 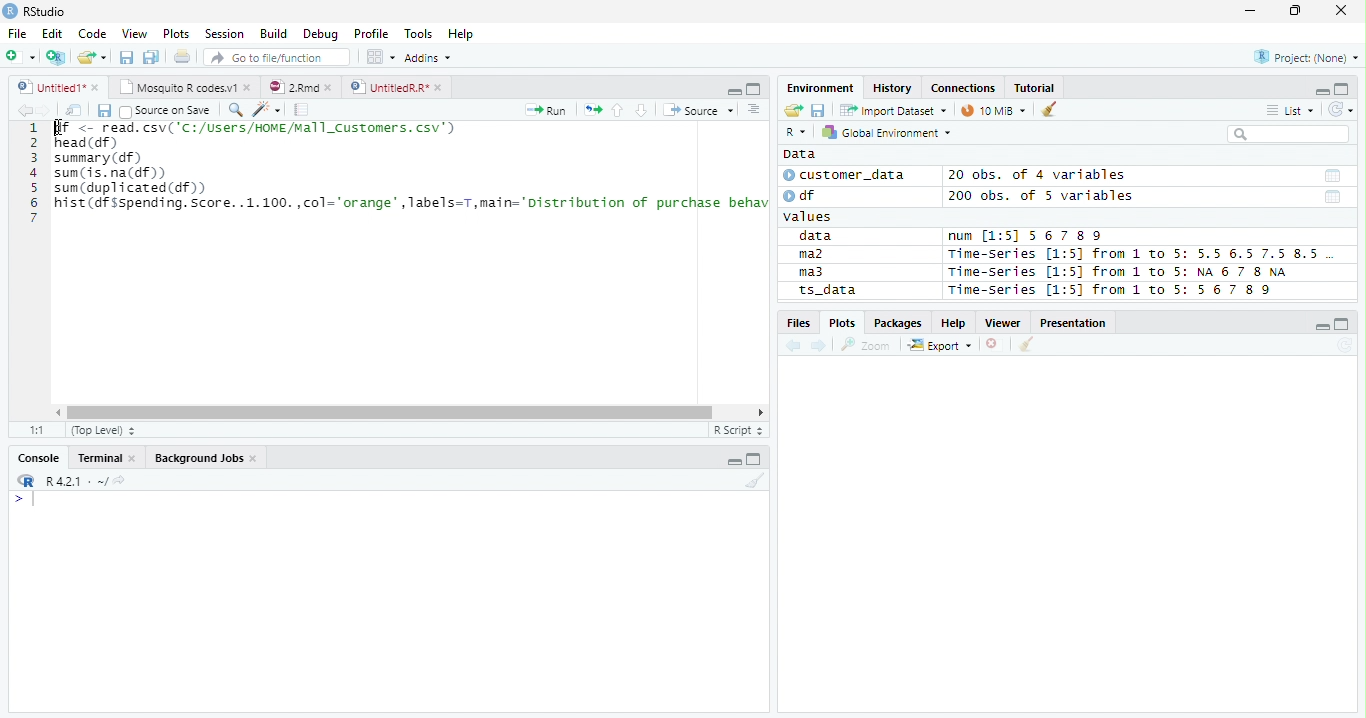 I want to click on Maximize, so click(x=756, y=460).